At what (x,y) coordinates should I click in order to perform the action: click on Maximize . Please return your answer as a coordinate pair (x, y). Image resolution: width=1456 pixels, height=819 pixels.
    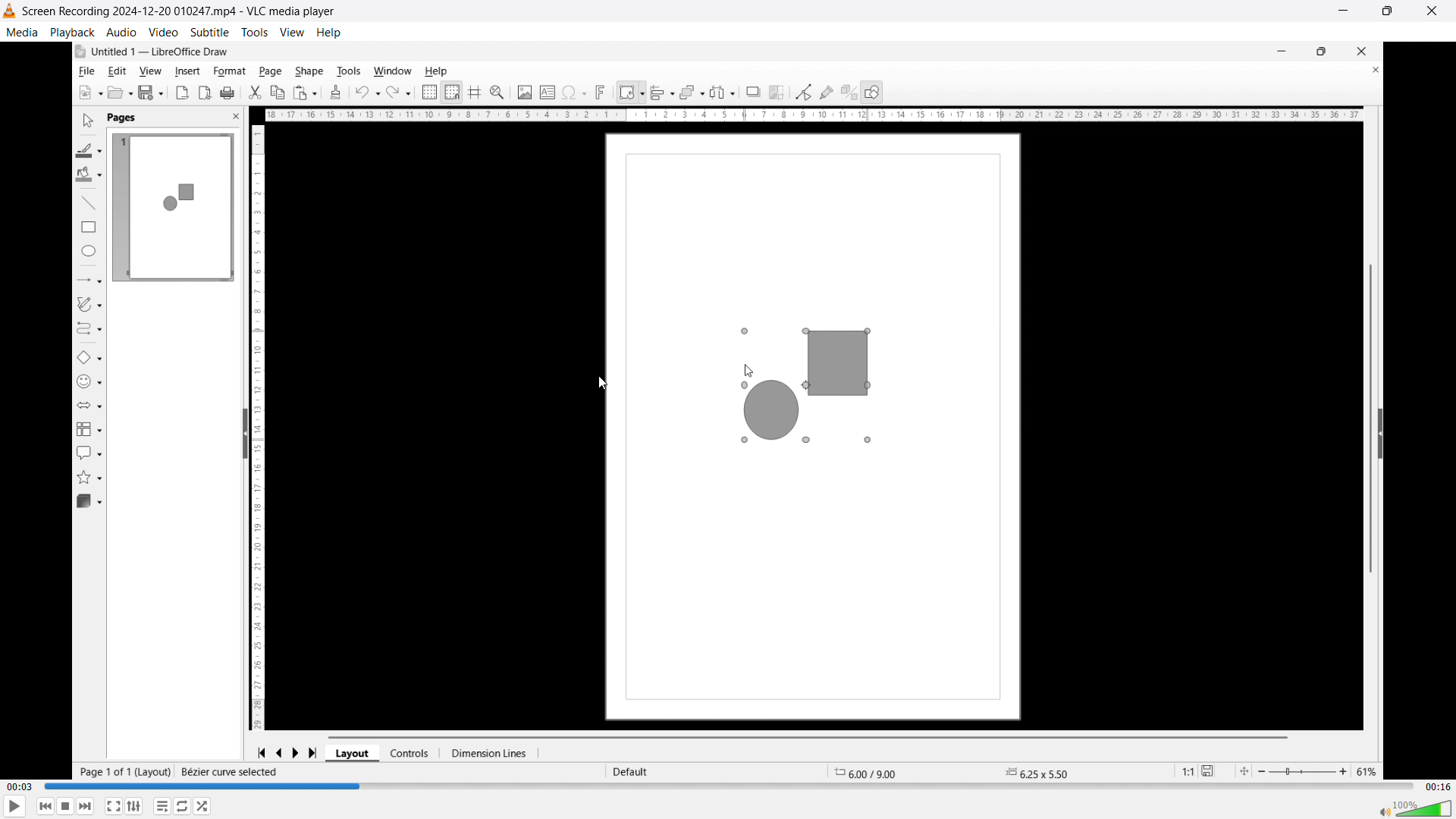
    Looking at the image, I should click on (1387, 11).